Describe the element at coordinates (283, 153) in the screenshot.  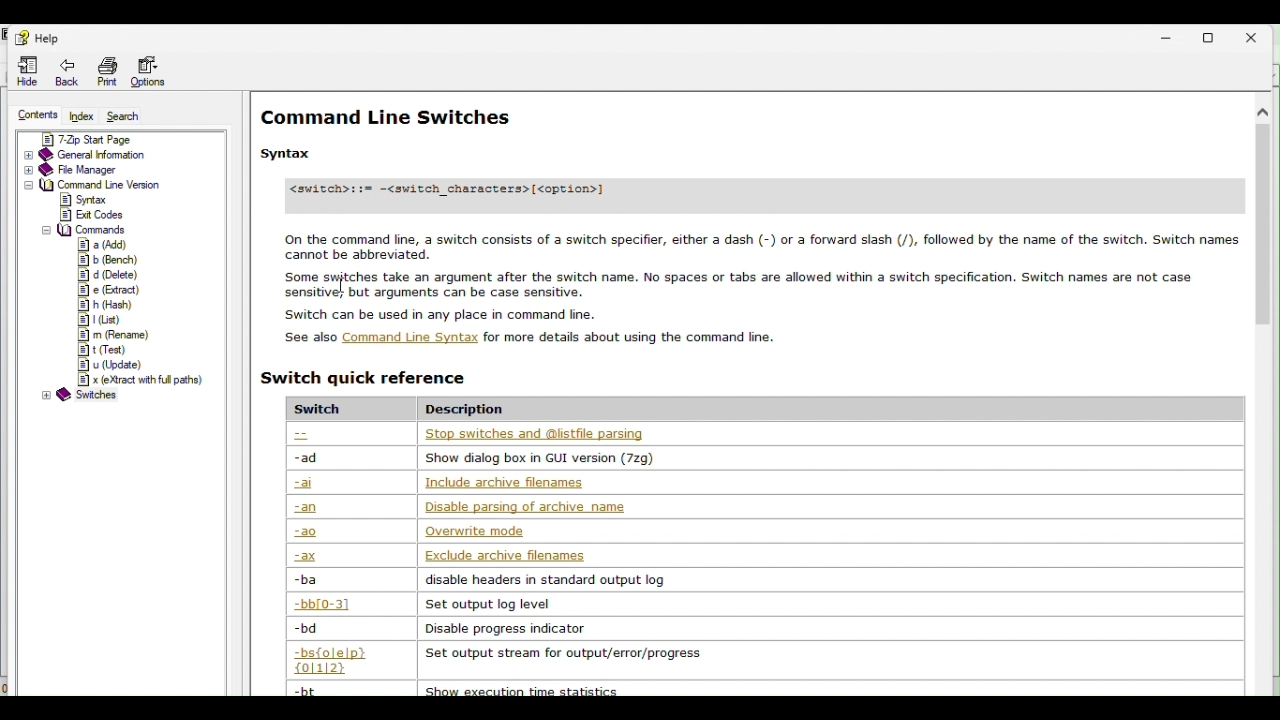
I see `Syntax` at that location.